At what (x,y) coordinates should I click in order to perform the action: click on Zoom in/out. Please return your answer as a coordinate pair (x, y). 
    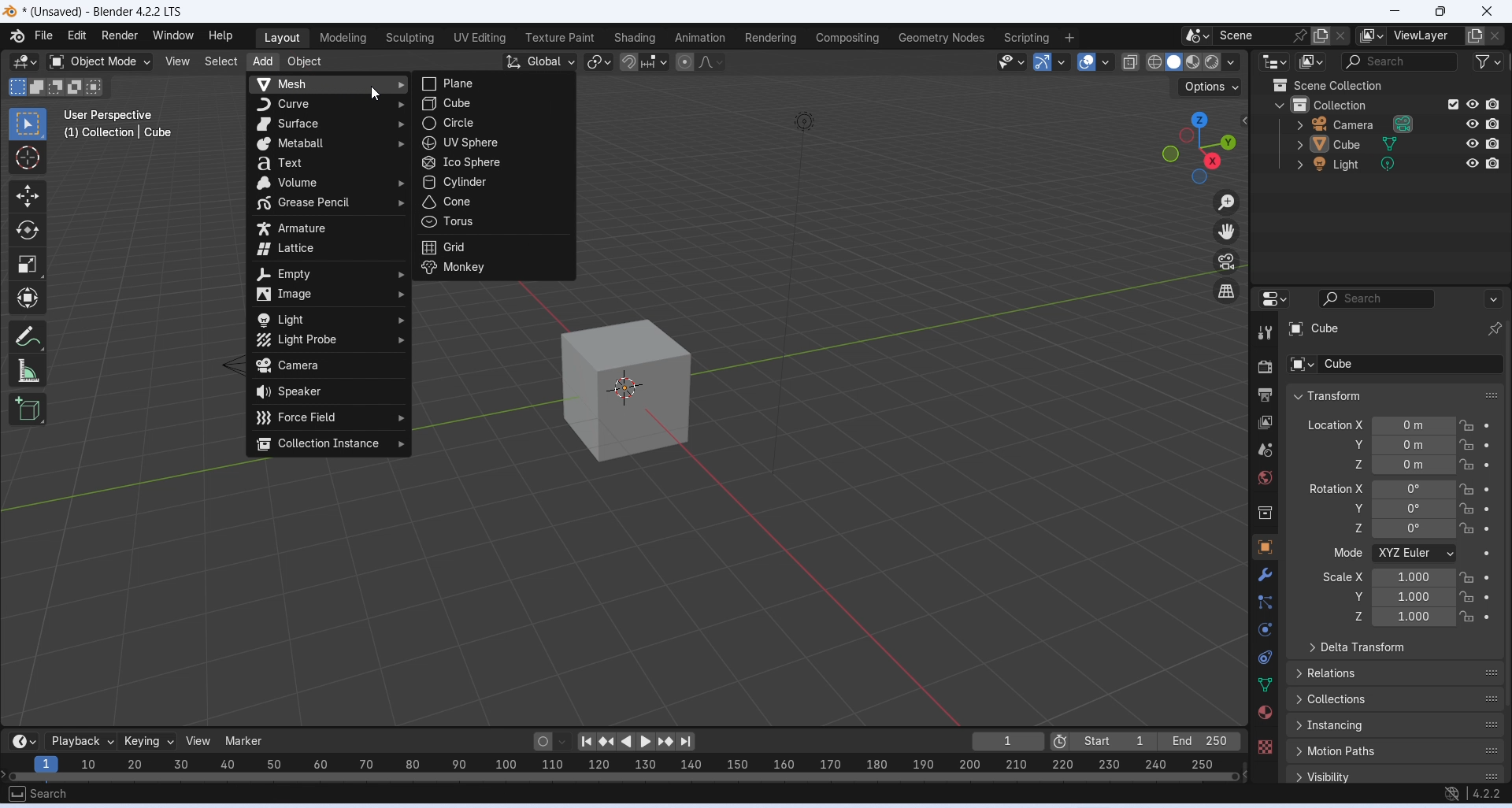
    Looking at the image, I should click on (1226, 204).